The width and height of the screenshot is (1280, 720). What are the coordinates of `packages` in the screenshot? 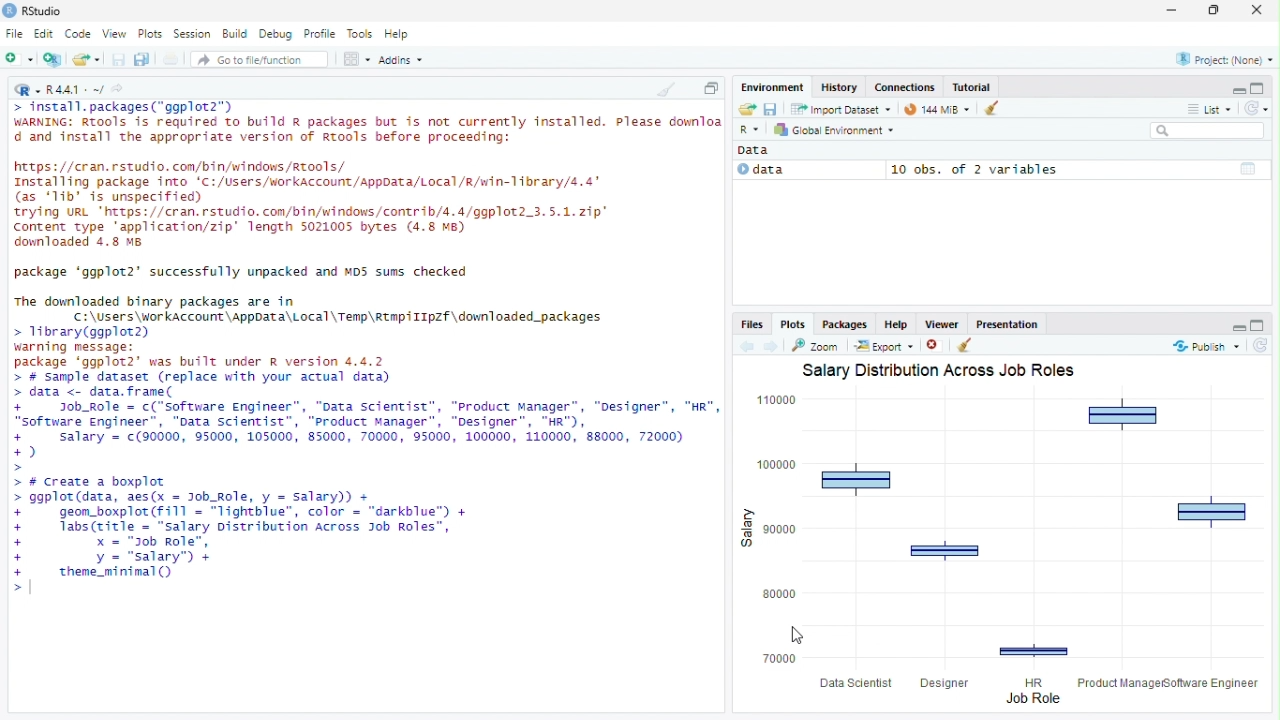 It's located at (844, 323).